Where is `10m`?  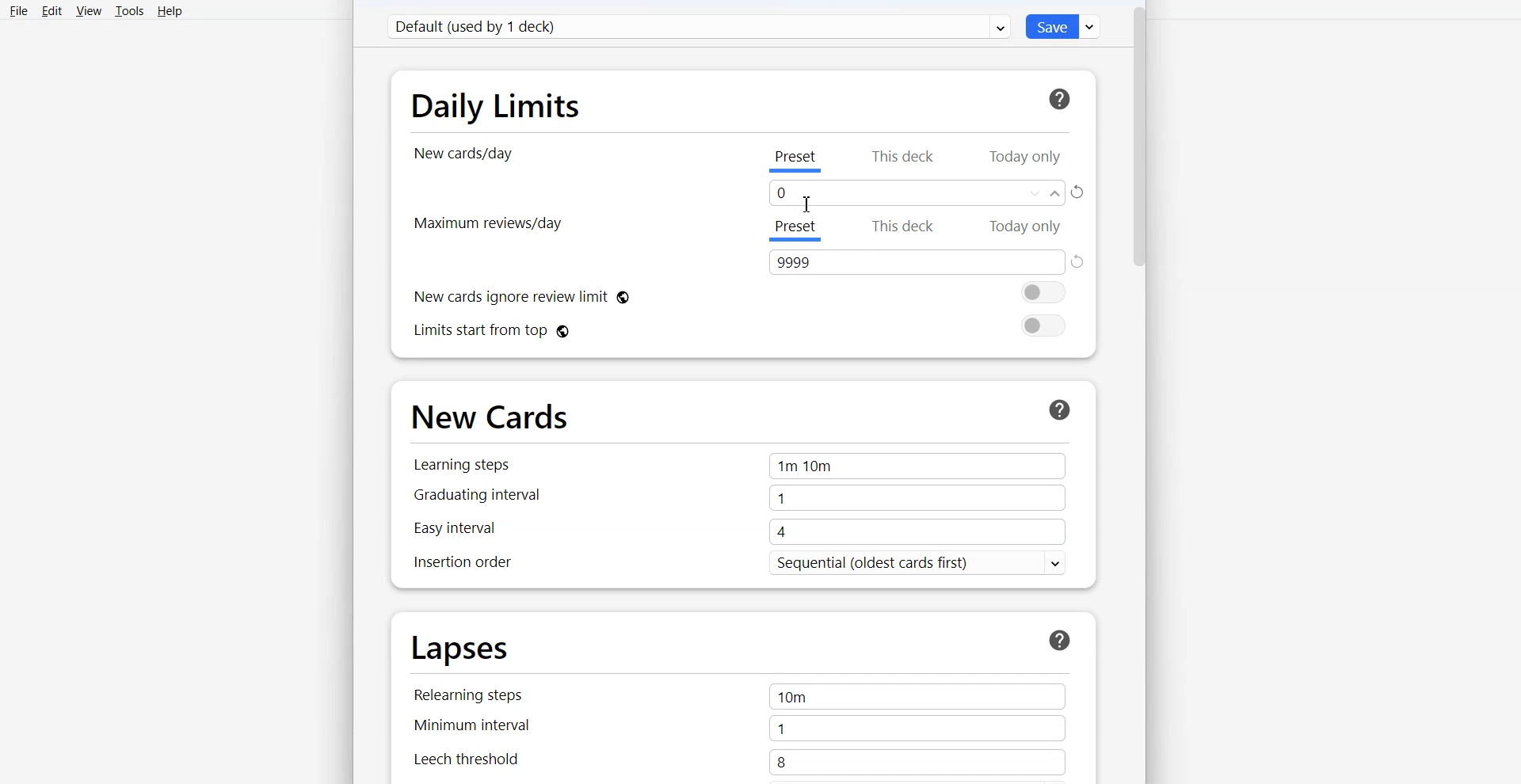
10m is located at coordinates (916, 696).